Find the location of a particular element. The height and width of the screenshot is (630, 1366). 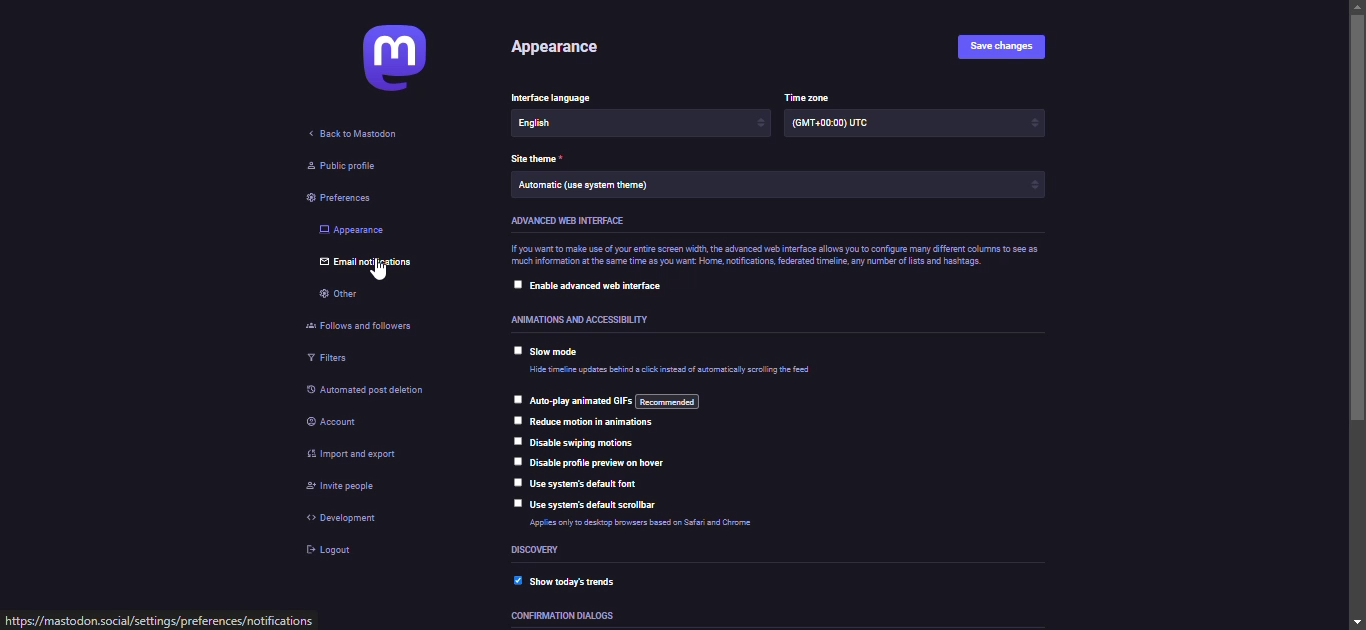

logout is located at coordinates (335, 549).